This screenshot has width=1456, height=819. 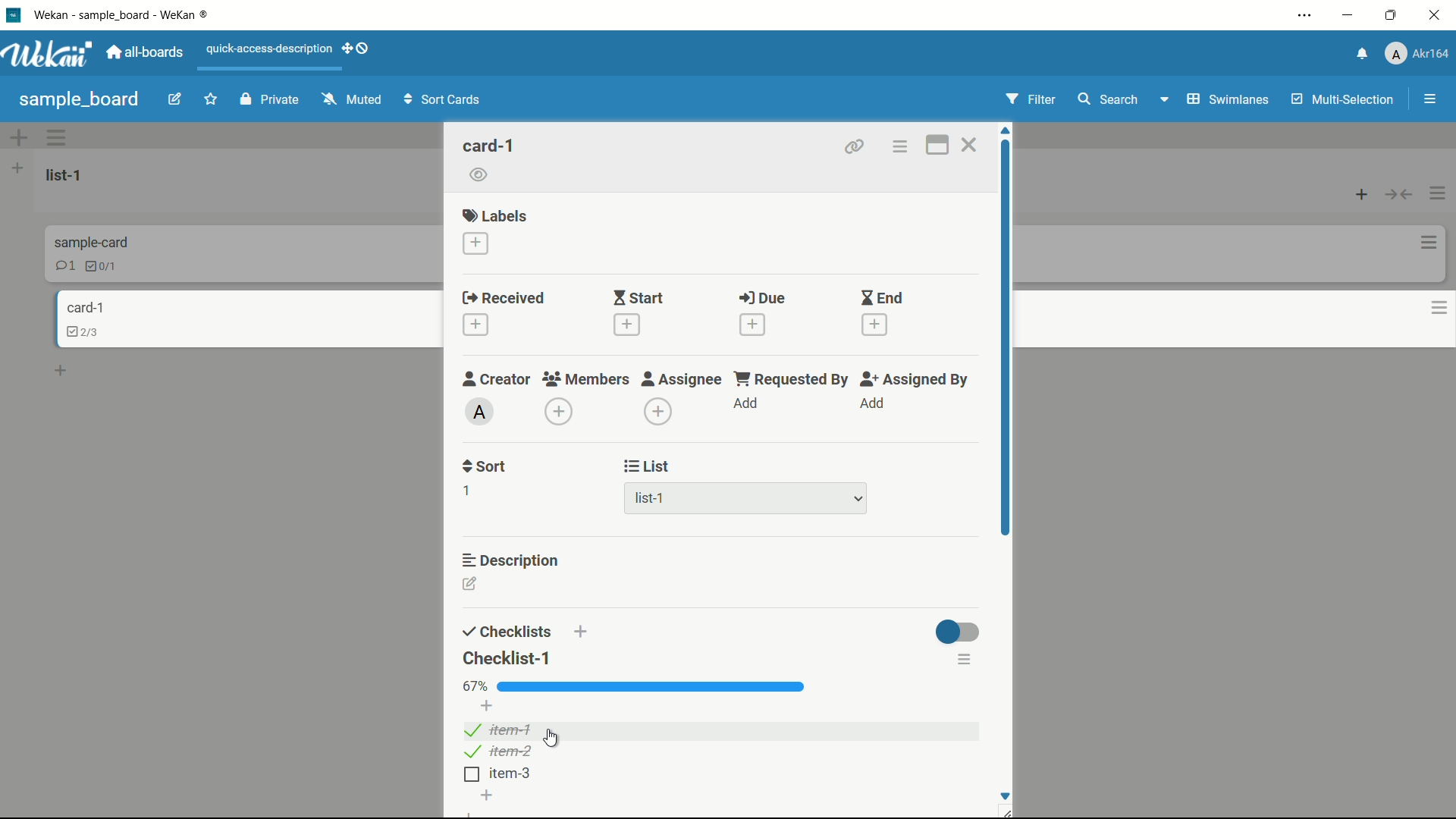 I want to click on 67%, so click(x=475, y=687).